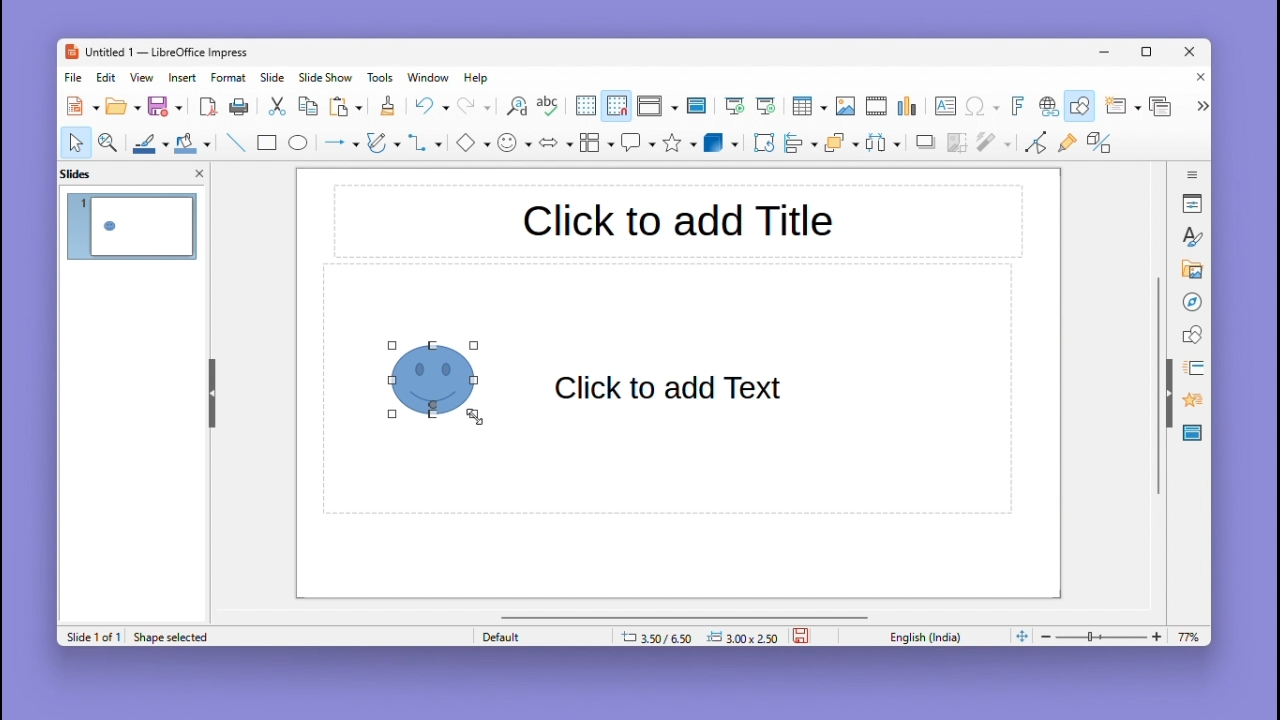  I want to click on paste, so click(347, 107).